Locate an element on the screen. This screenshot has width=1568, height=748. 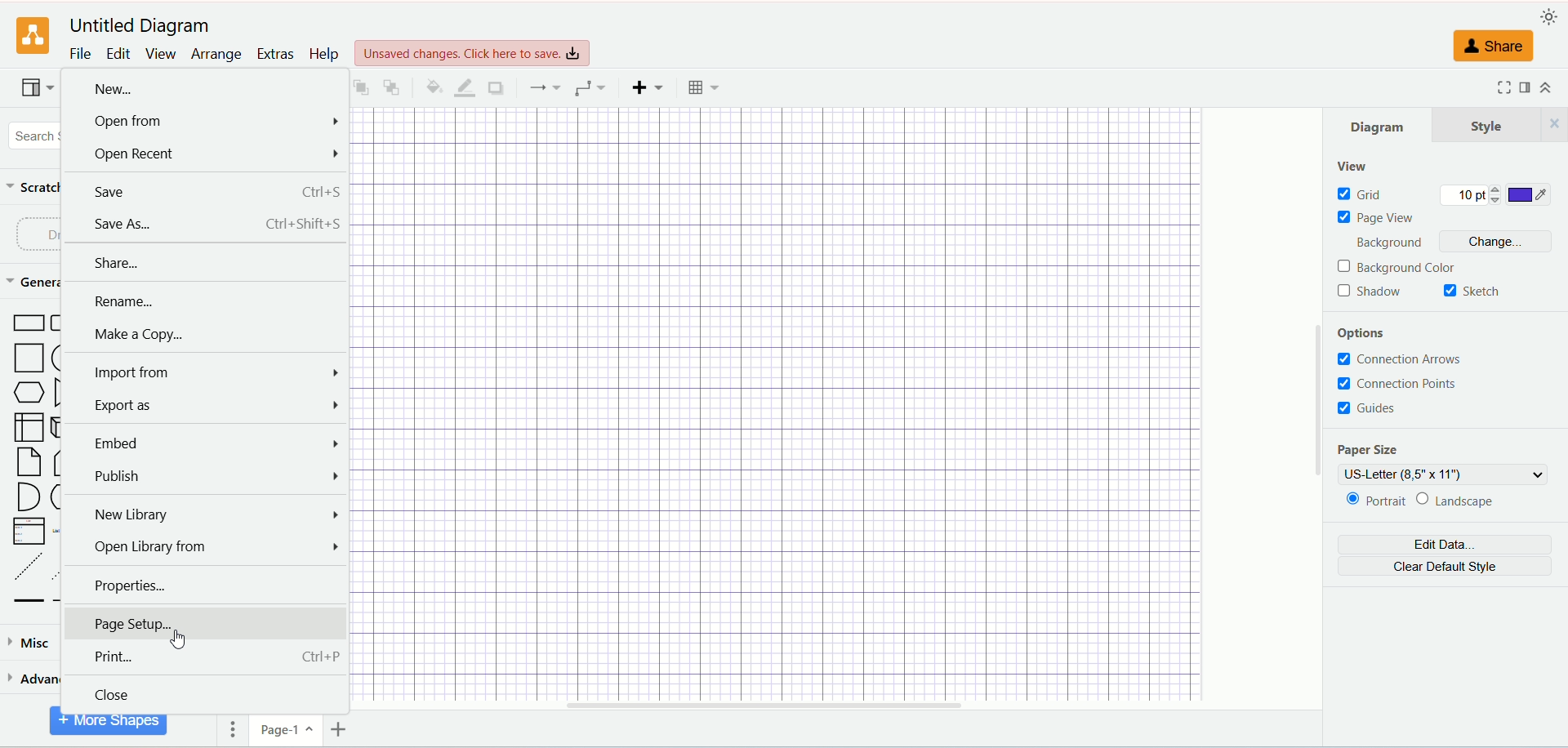
insert is located at coordinates (647, 86).